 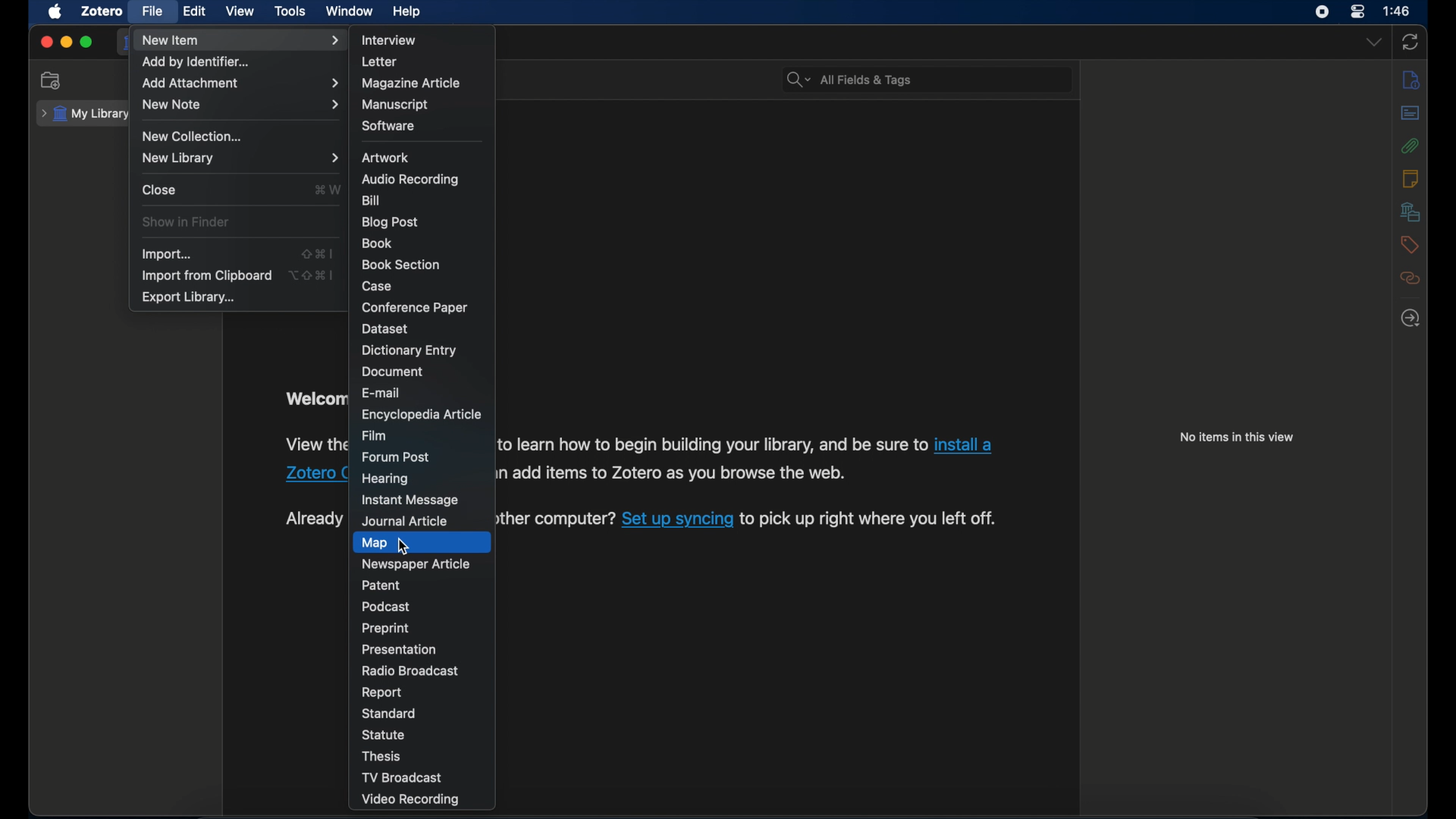 I want to click on new item, so click(x=240, y=40).